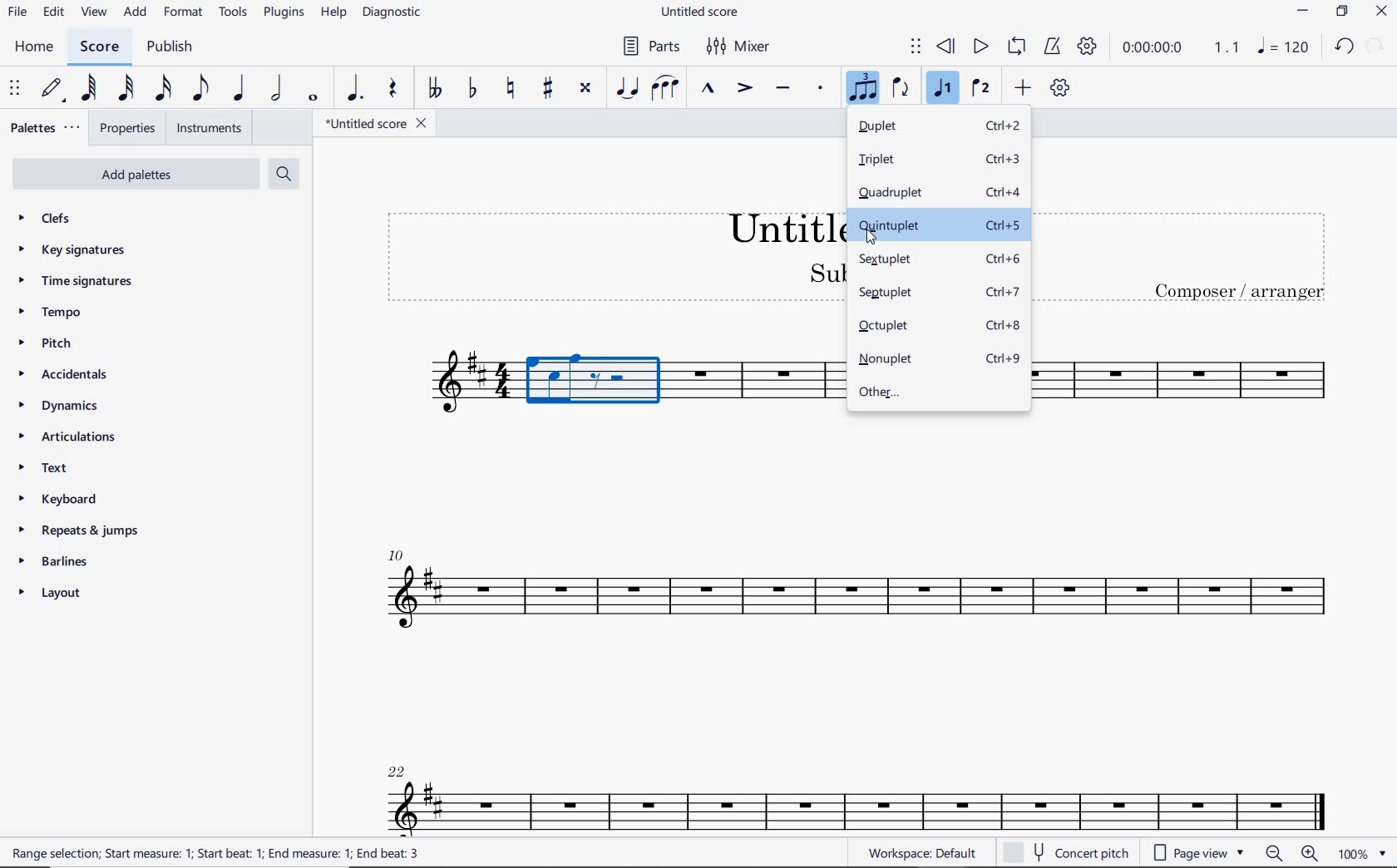  I want to click on MIXER, so click(743, 45).